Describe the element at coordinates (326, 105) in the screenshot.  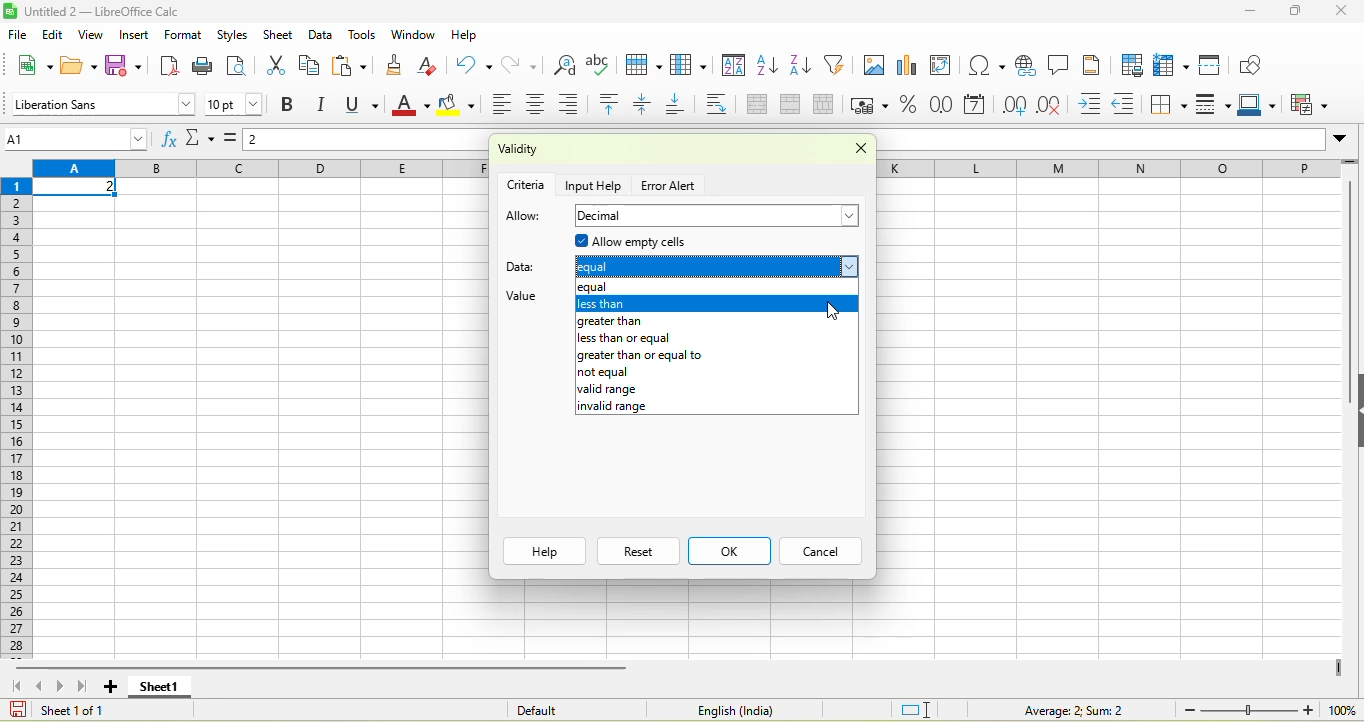
I see `italics` at that location.